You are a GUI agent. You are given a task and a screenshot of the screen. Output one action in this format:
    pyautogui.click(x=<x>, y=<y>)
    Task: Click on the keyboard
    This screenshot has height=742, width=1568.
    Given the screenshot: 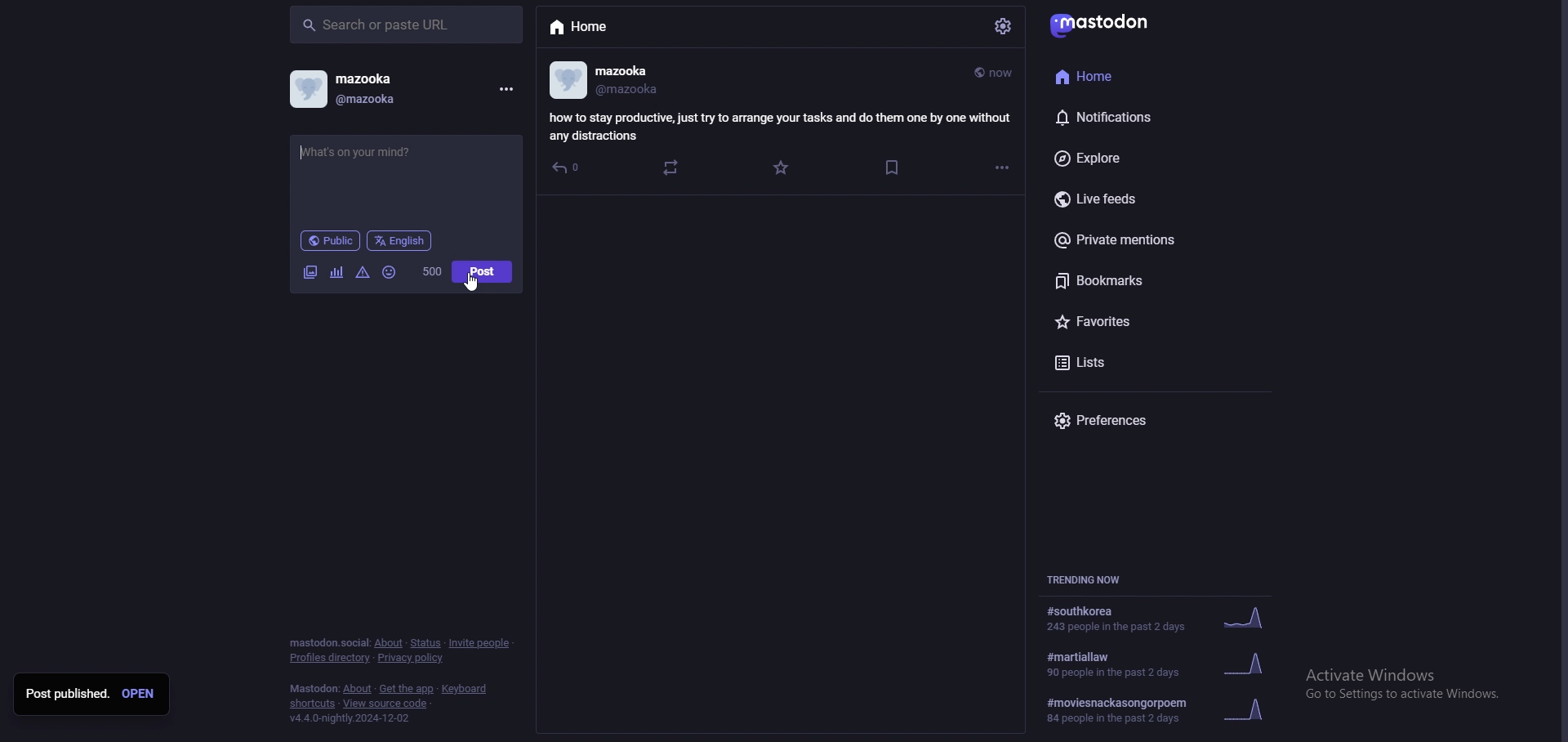 What is the action you would take?
    pyautogui.click(x=465, y=688)
    